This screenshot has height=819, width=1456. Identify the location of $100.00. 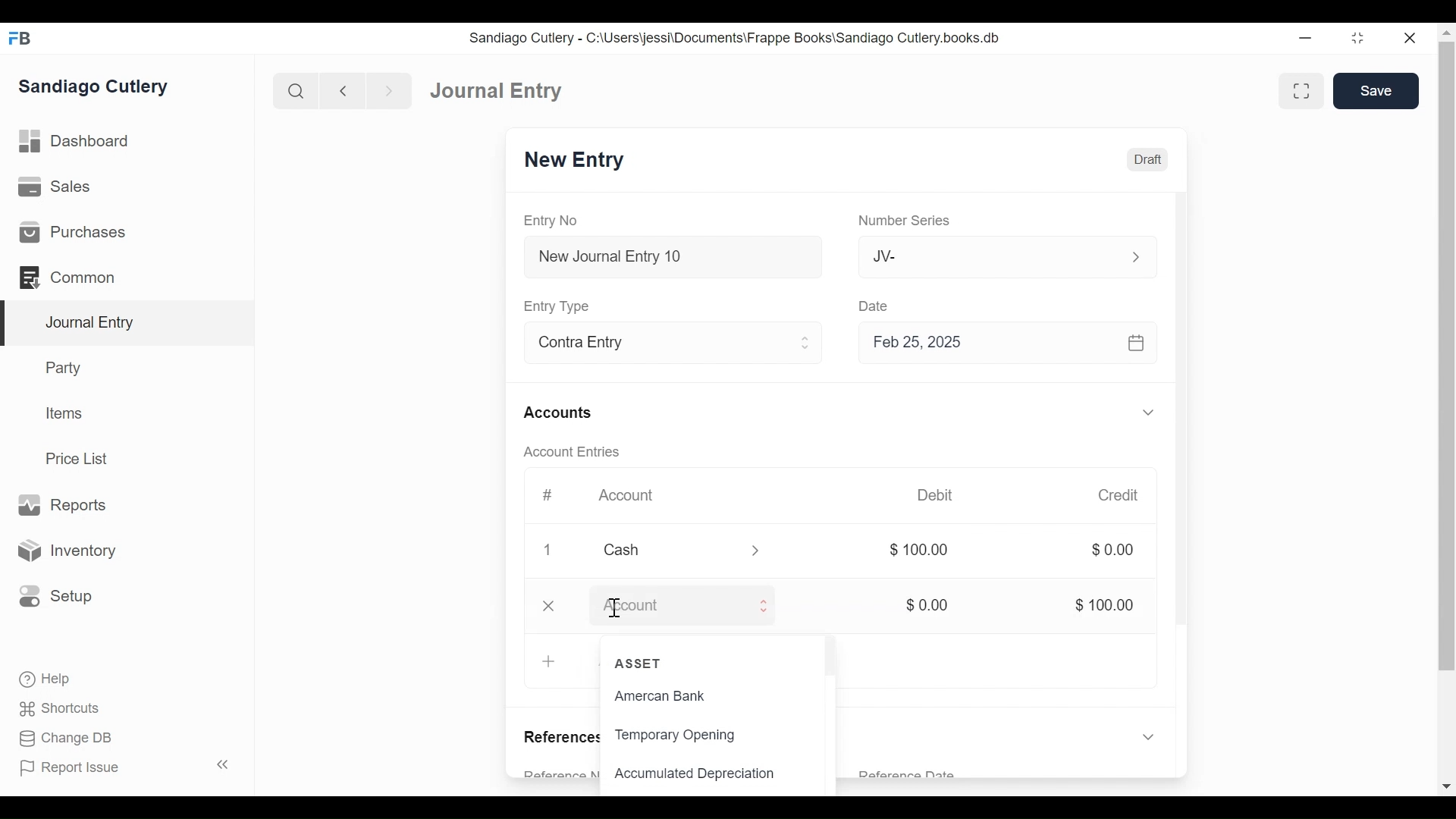
(921, 549).